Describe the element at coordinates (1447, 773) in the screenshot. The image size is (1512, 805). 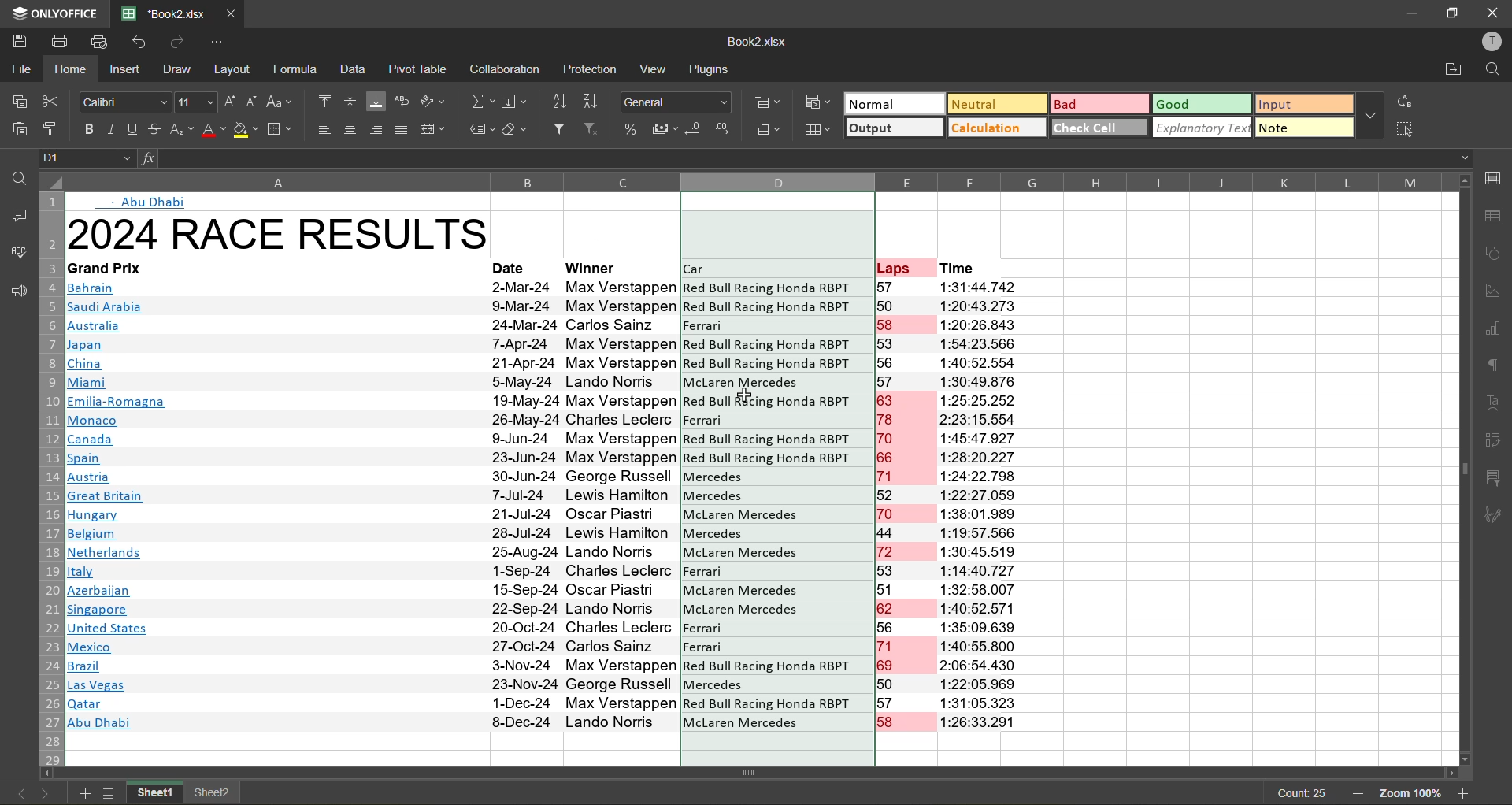
I see `move right` at that location.